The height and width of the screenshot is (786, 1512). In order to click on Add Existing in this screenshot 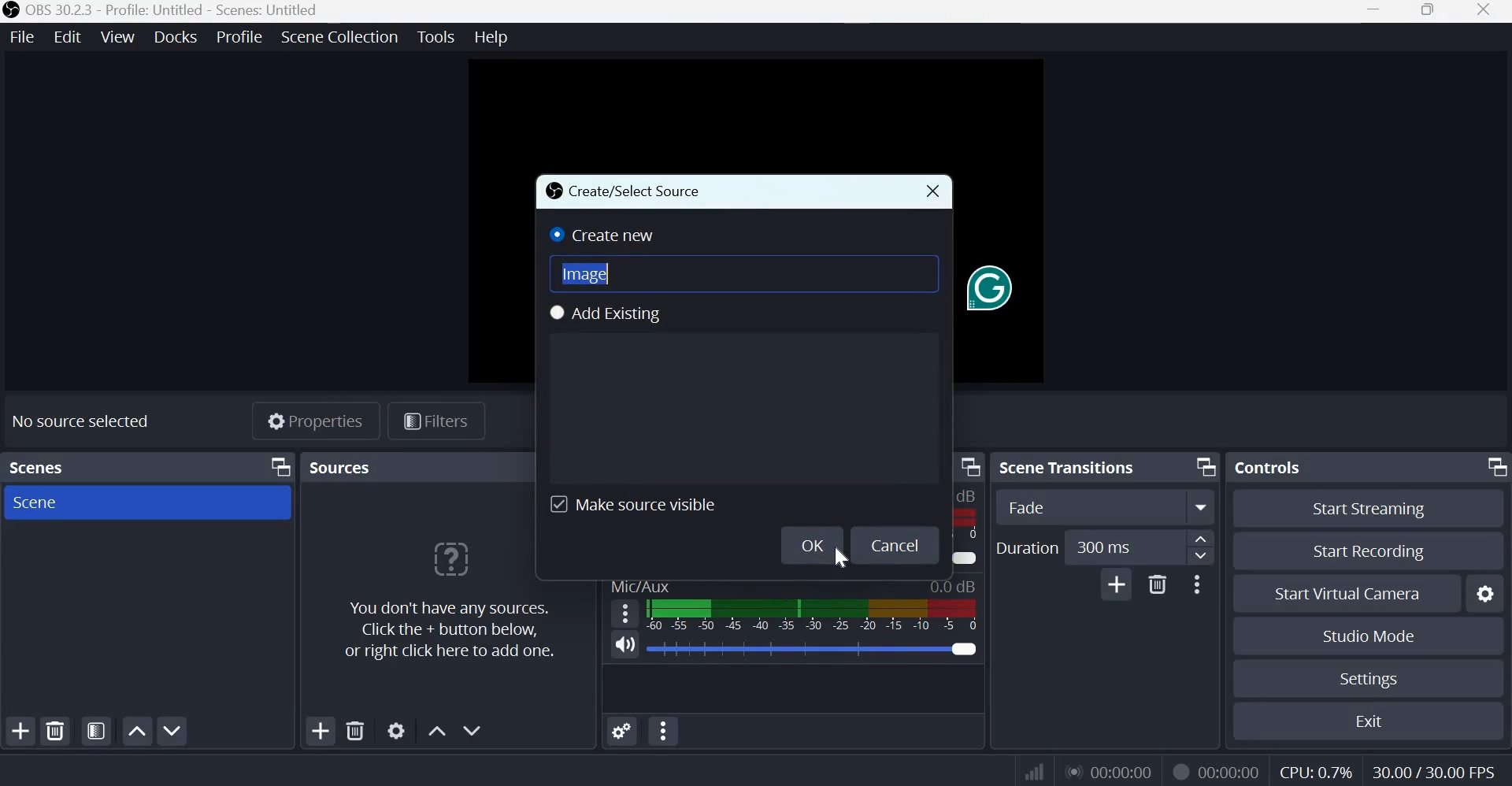, I will do `click(605, 312)`.